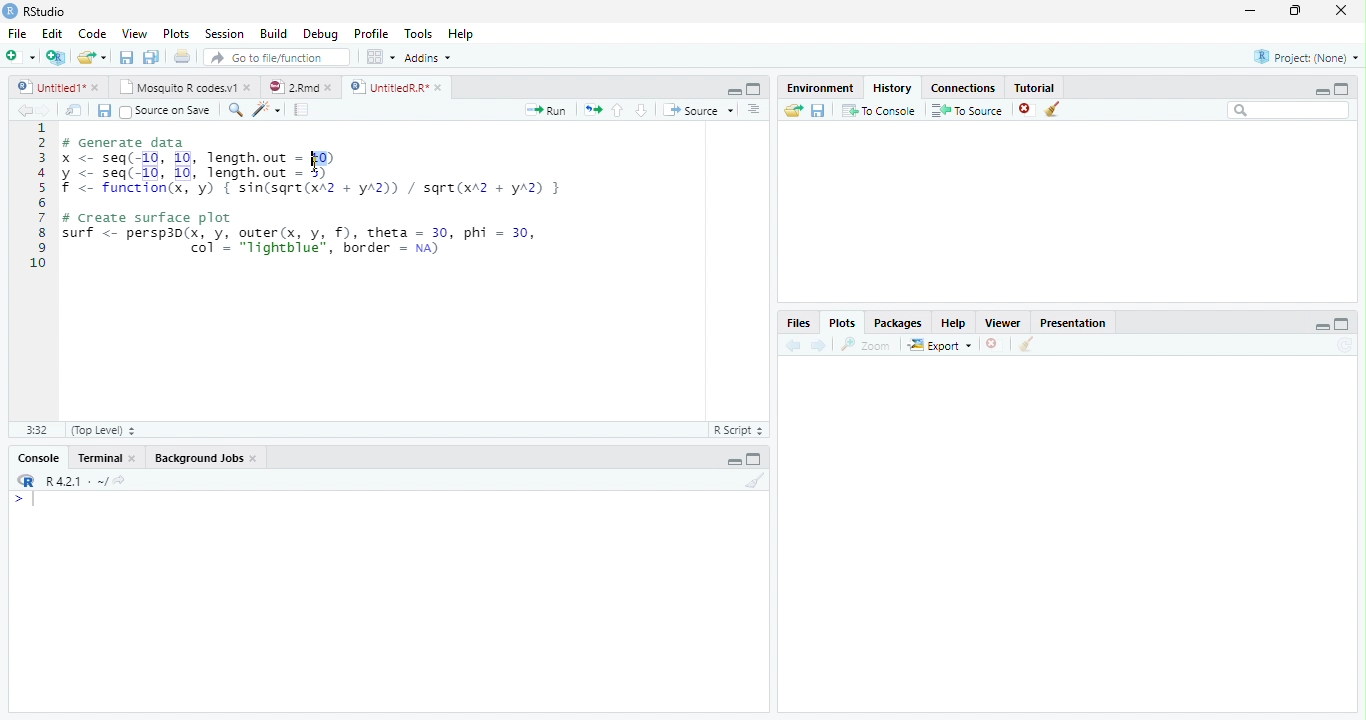 The width and height of the screenshot is (1366, 720). I want to click on Zoom, so click(865, 345).